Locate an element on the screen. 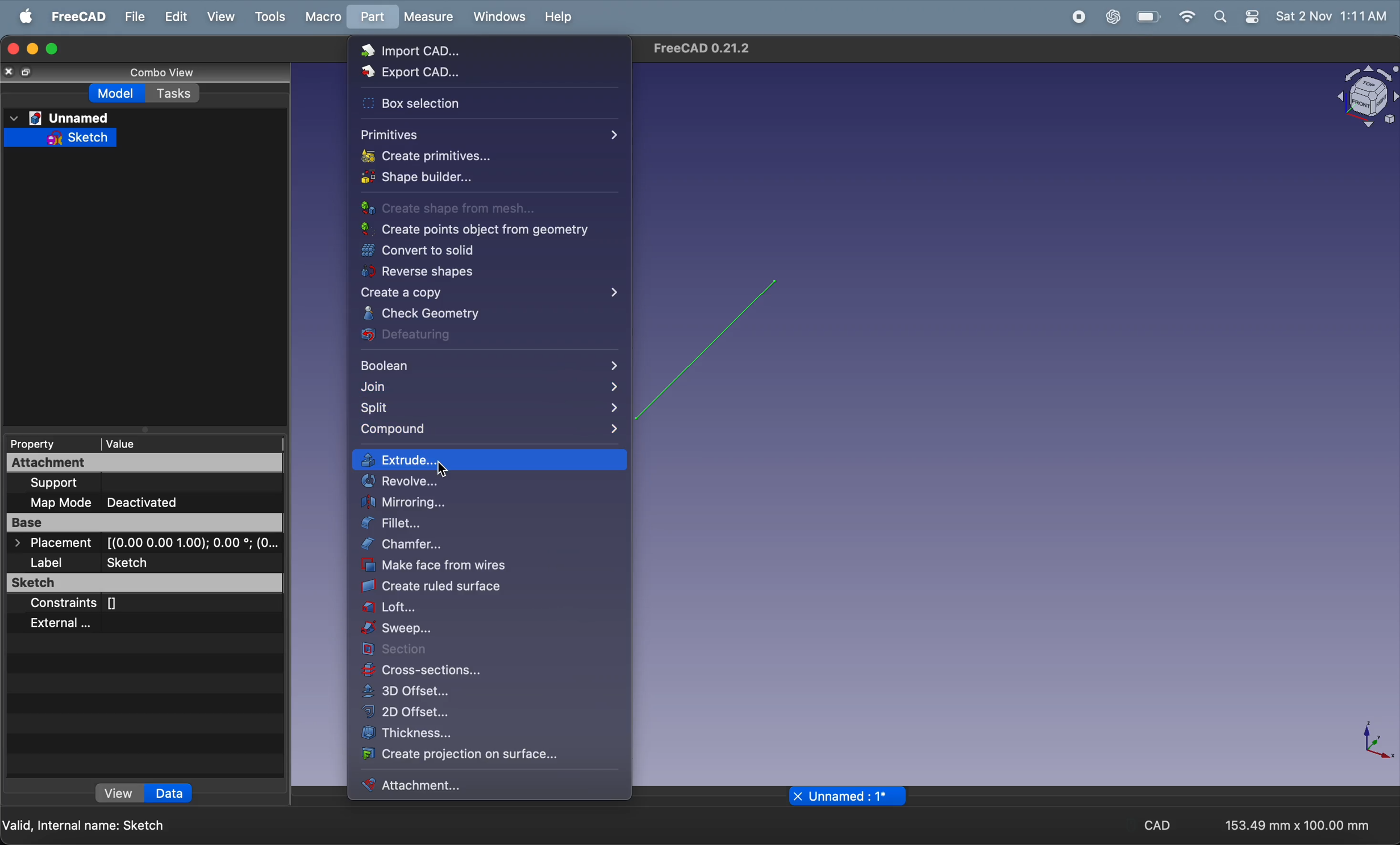 The height and width of the screenshot is (845, 1400). cross section... is located at coordinates (488, 672).